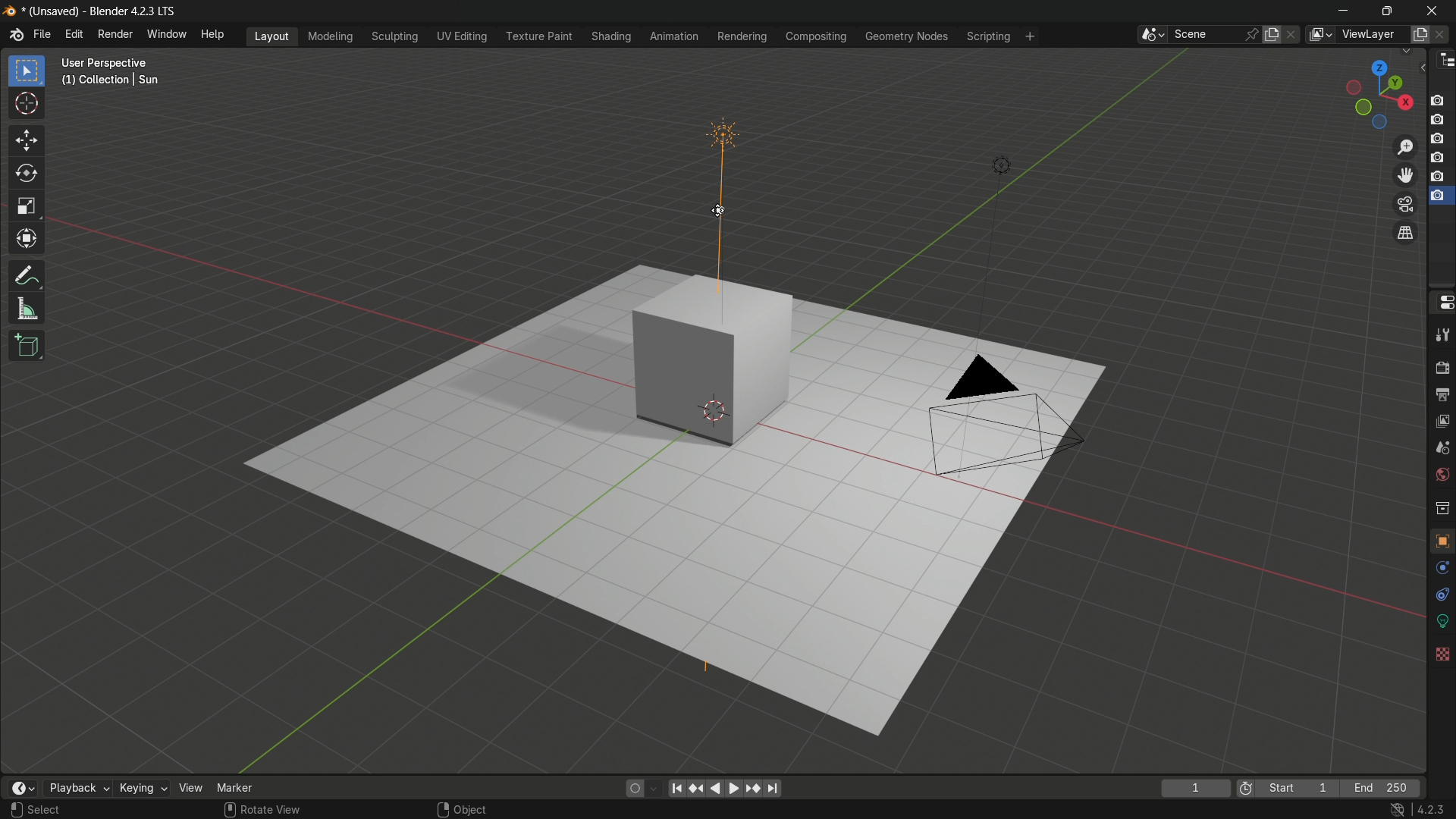 This screenshot has width=1456, height=819. What do you see at coordinates (909, 36) in the screenshot?
I see `geometry nodes` at bounding box center [909, 36].